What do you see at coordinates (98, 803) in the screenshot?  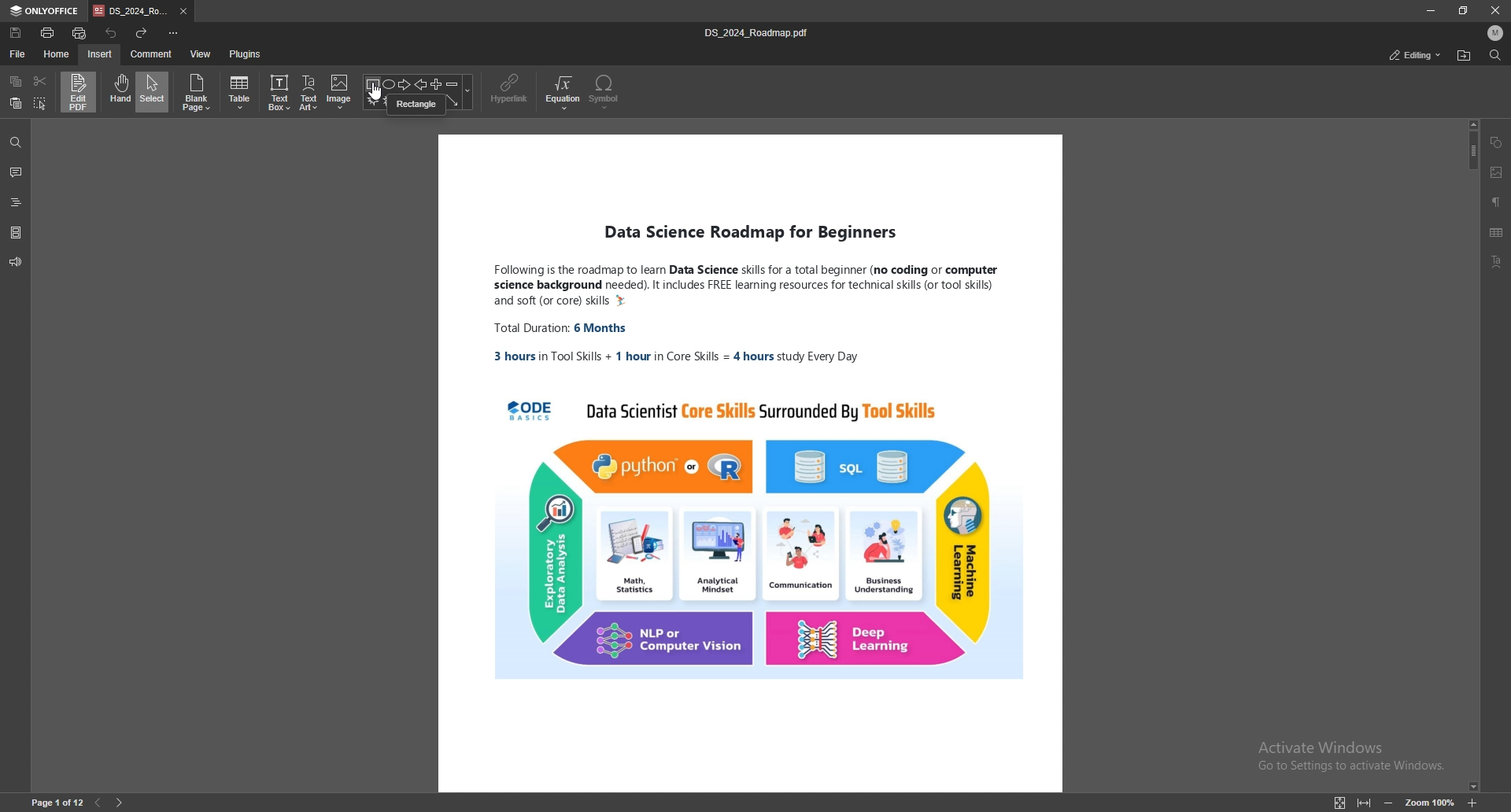 I see `previous page` at bounding box center [98, 803].